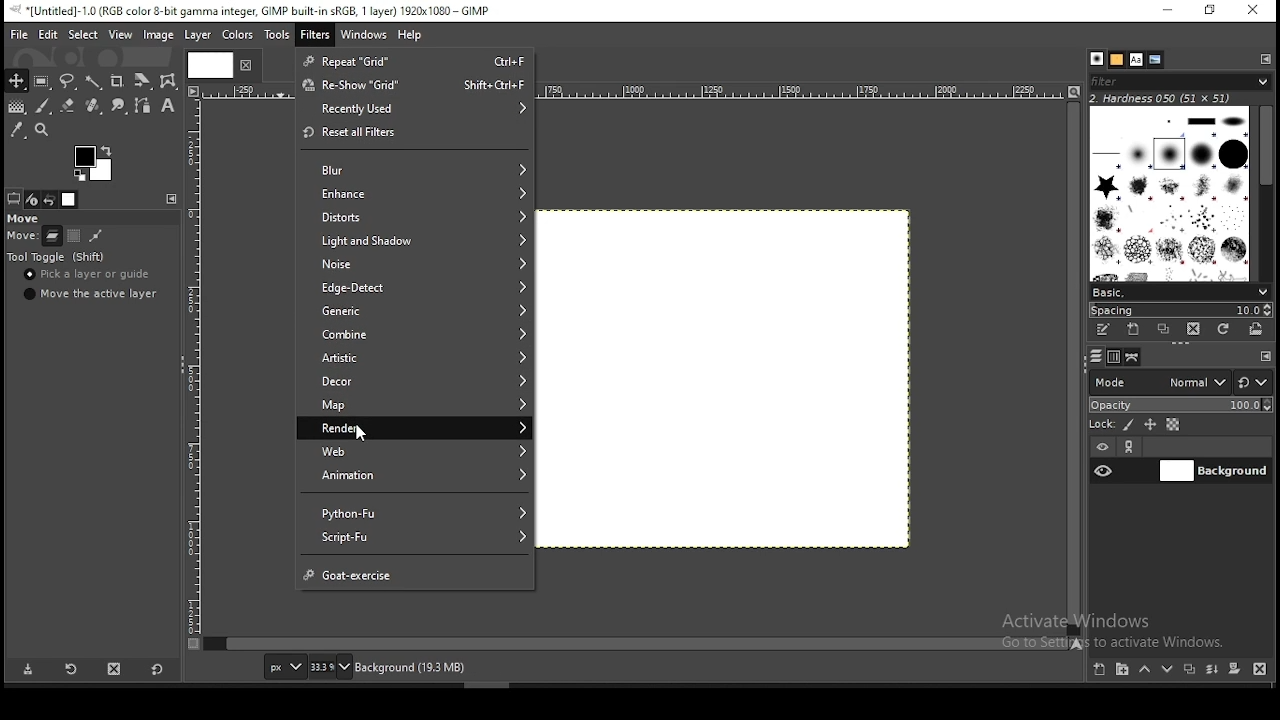 The image size is (1280, 720). I want to click on map, so click(414, 406).